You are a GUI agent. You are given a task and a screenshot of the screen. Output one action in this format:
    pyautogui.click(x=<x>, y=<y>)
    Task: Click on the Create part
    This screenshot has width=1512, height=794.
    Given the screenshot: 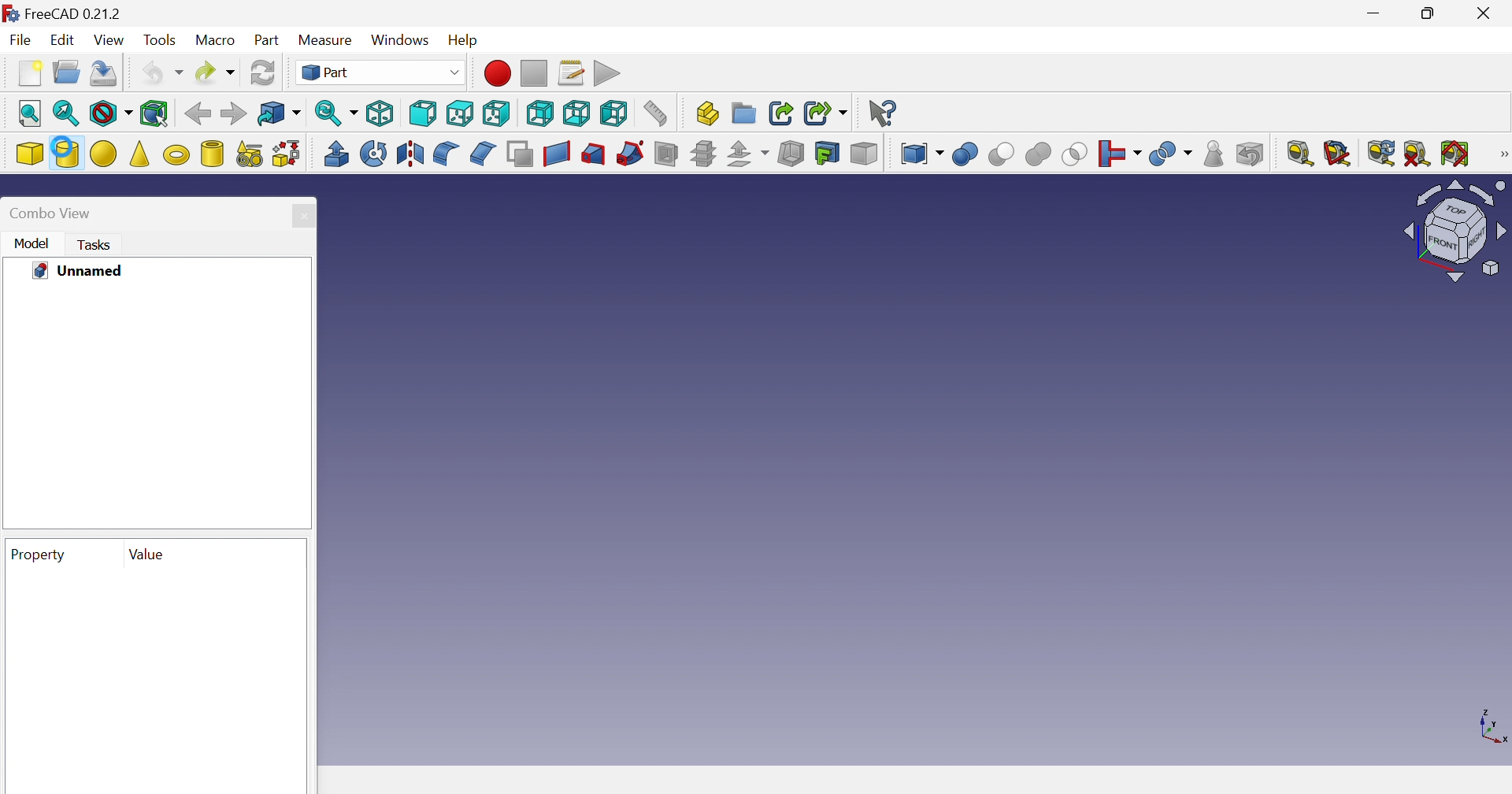 What is the action you would take?
    pyautogui.click(x=707, y=111)
    